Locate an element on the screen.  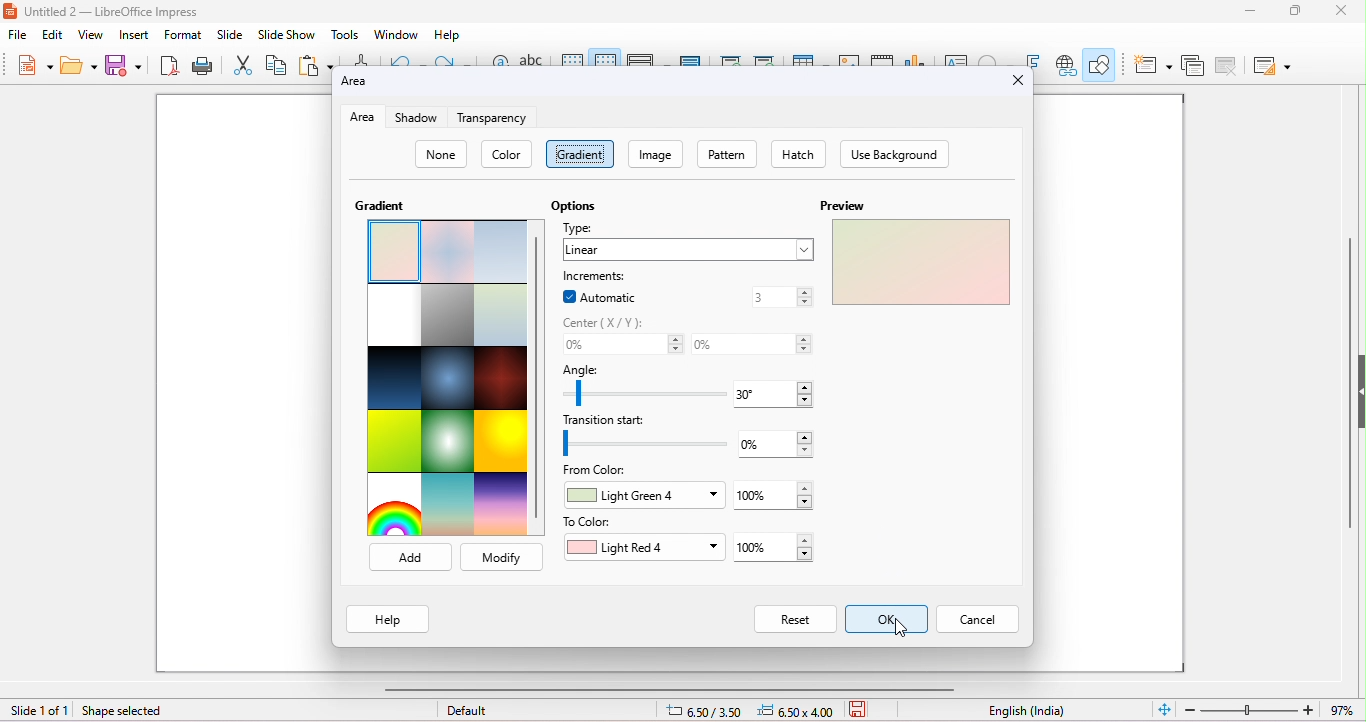
100 is located at coordinates (773, 495).